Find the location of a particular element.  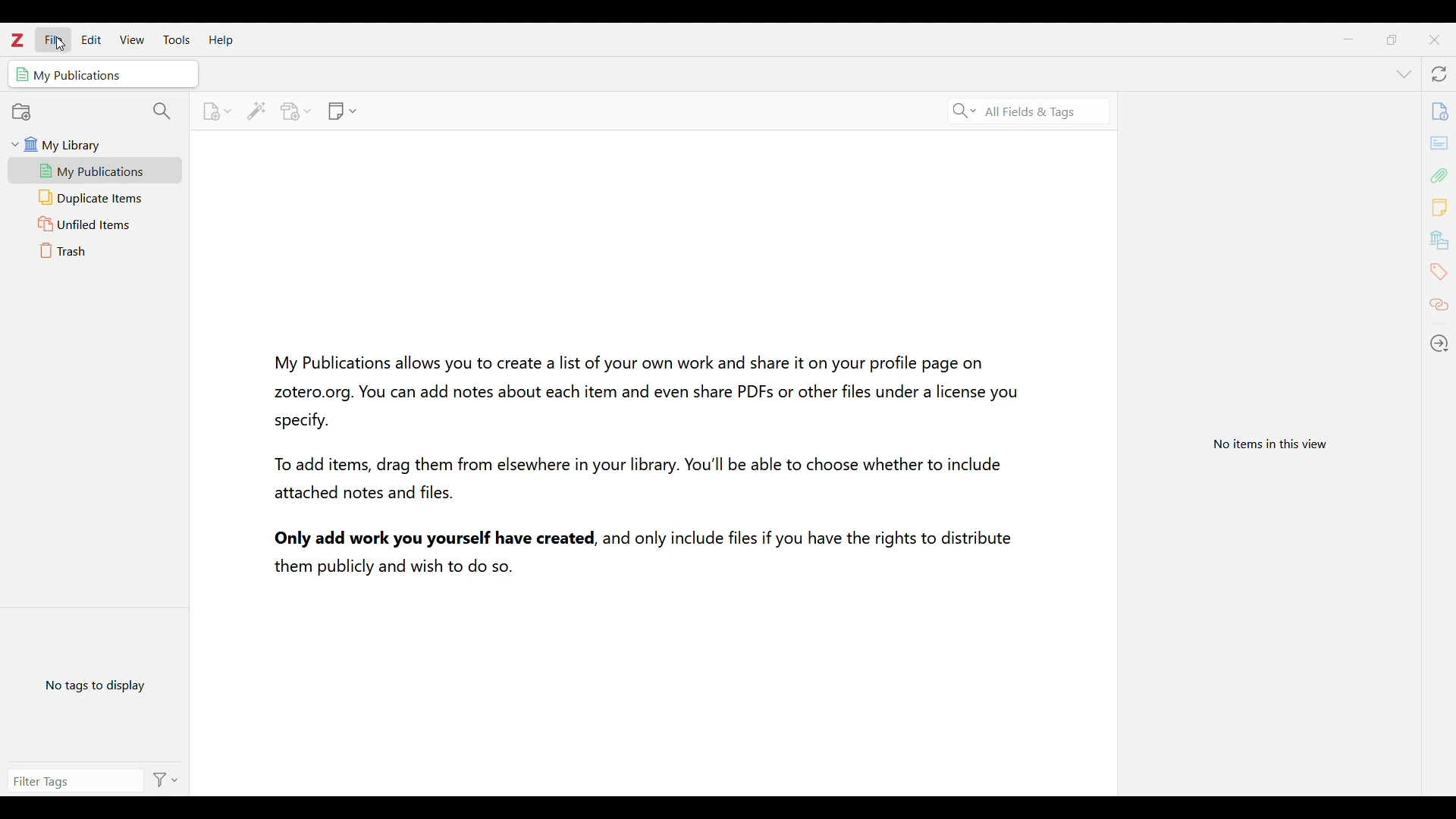

View is located at coordinates (132, 39).